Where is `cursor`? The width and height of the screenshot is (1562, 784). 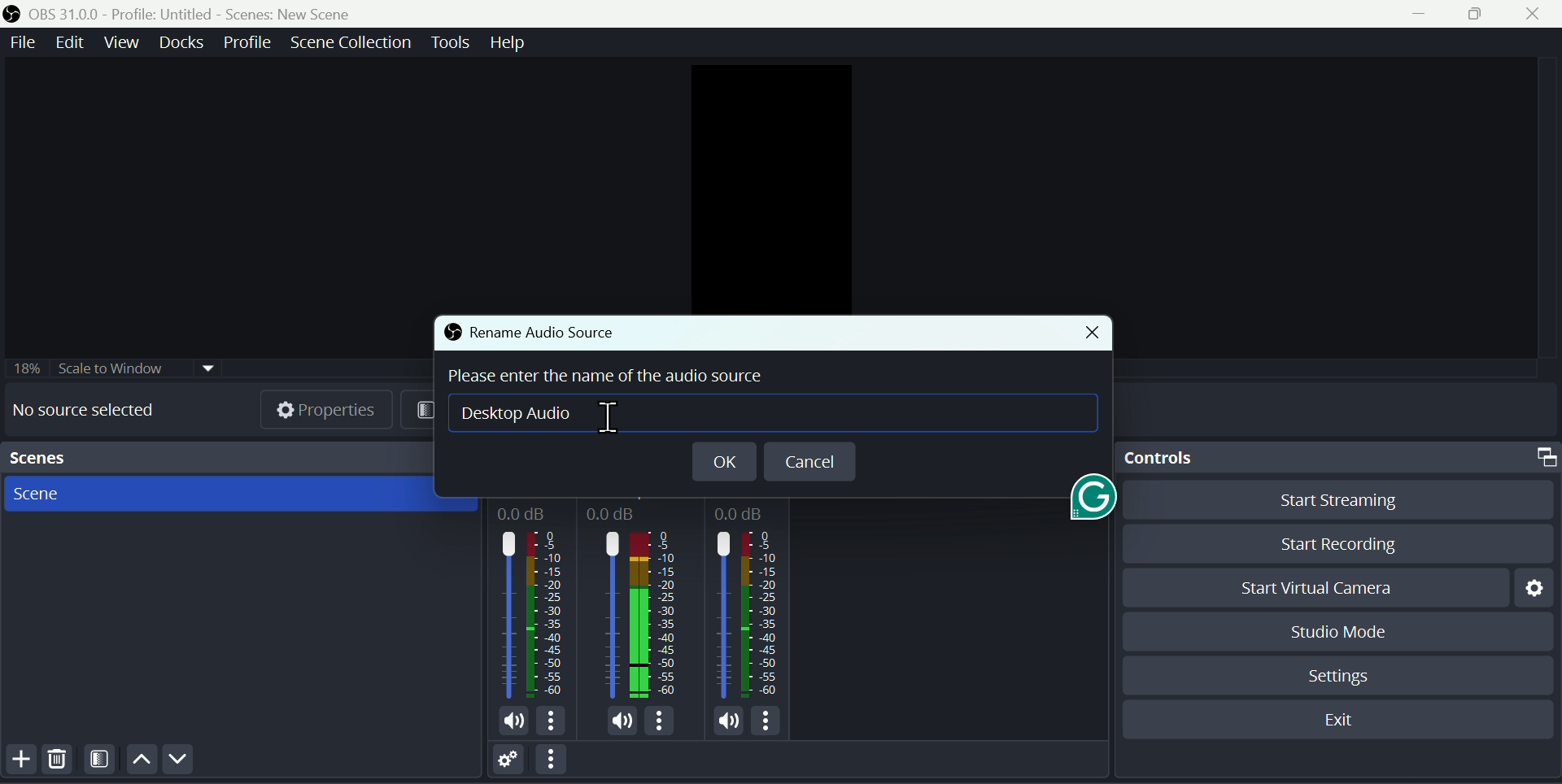 cursor is located at coordinates (613, 416).